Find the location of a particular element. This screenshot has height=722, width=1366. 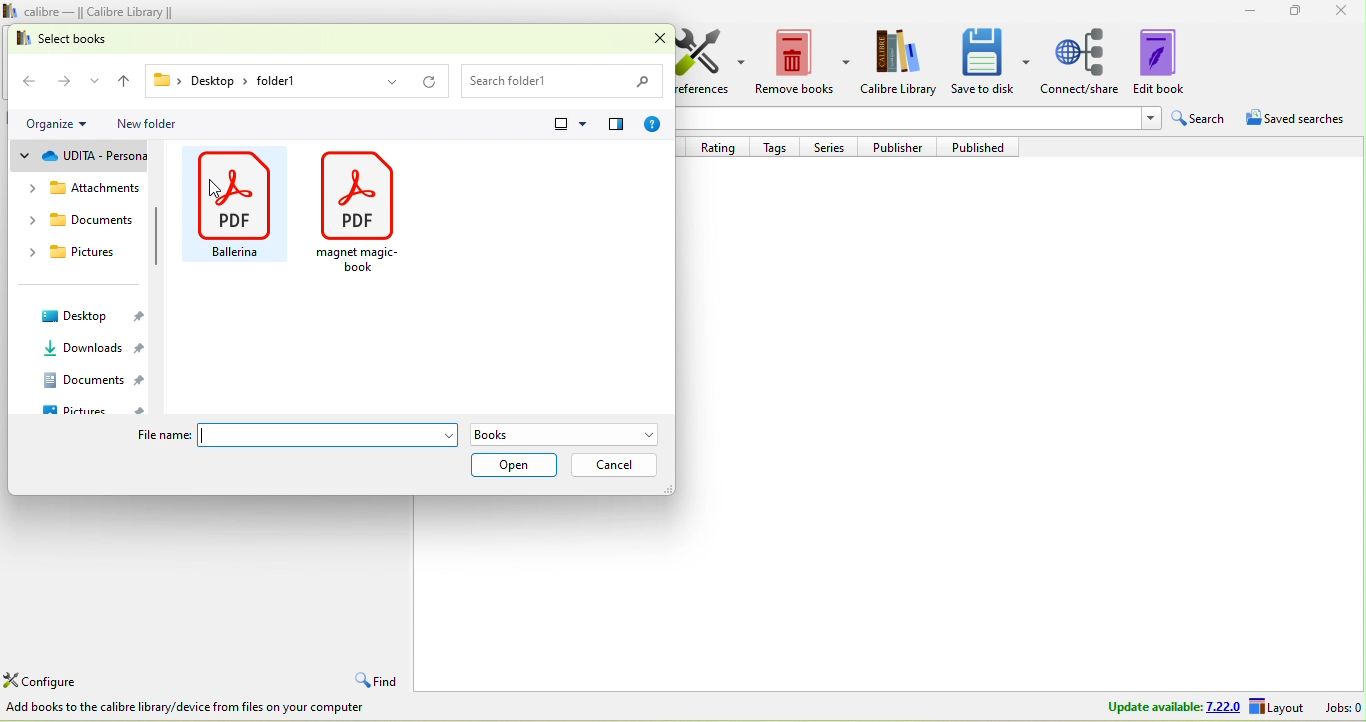

add books to the calibre library /device from files on your computer is located at coordinates (192, 707).